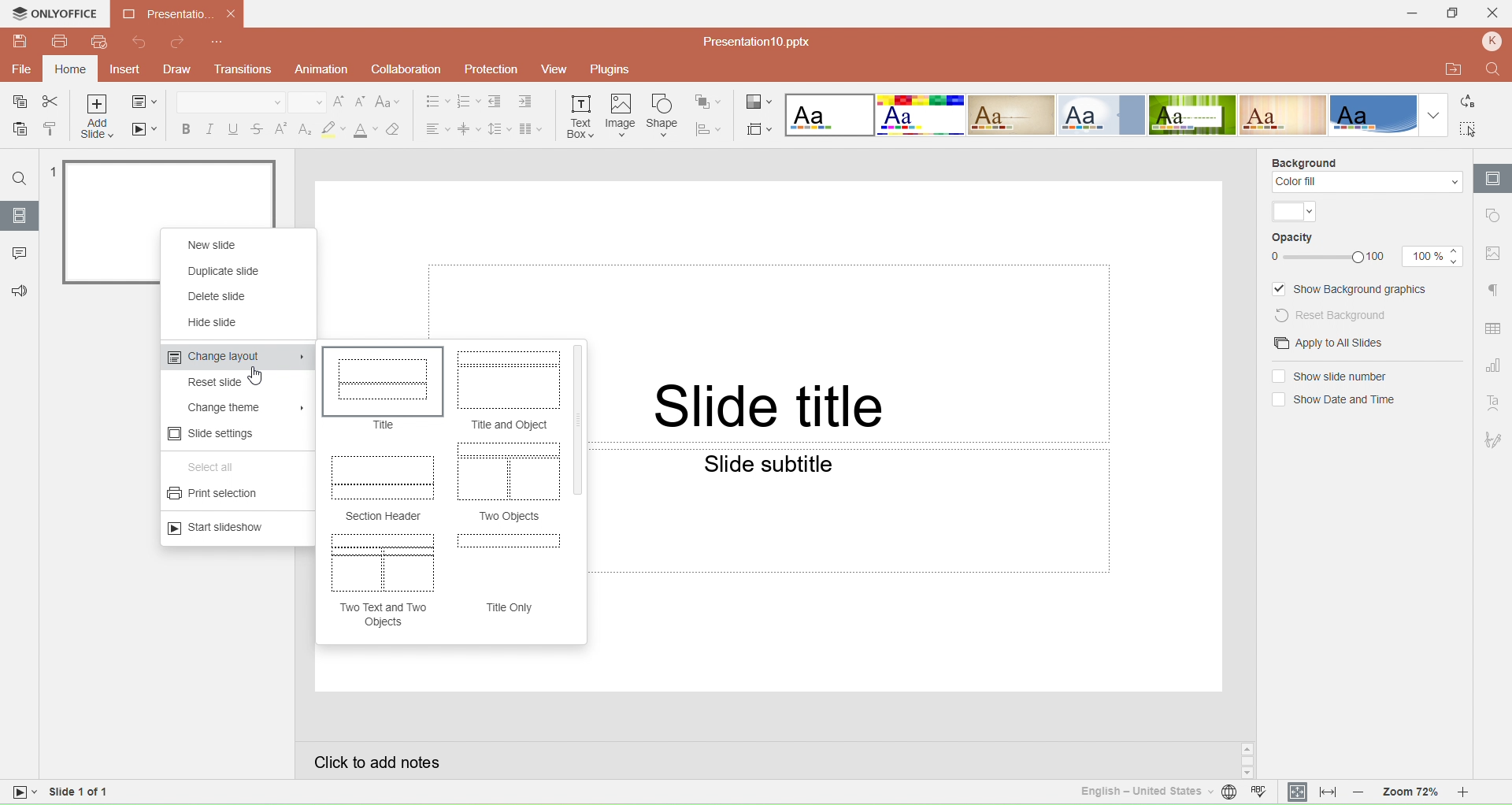 This screenshot has height=805, width=1512. I want to click on 100, so click(1382, 258).